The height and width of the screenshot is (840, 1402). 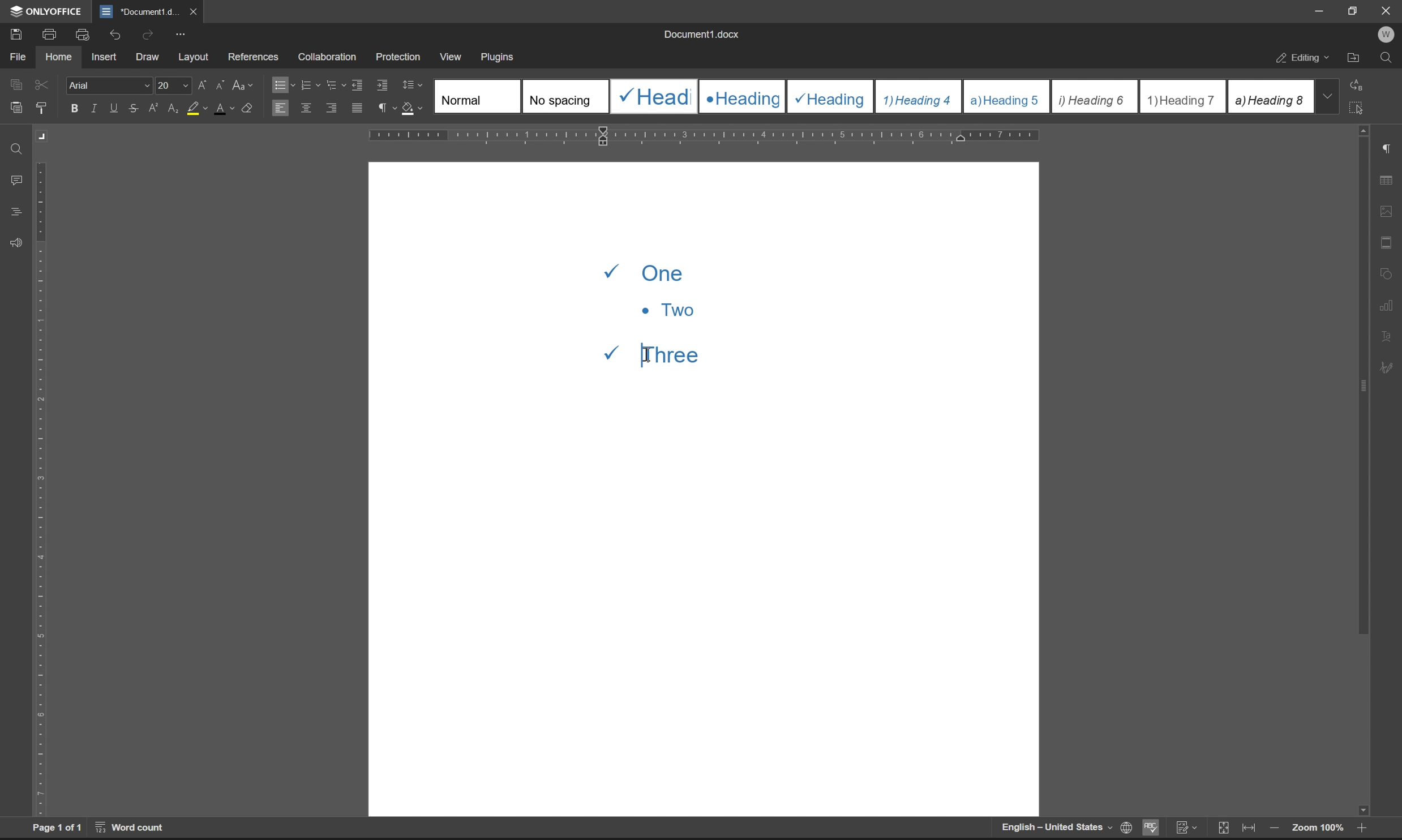 I want to click on Line spacing, so click(x=417, y=85).